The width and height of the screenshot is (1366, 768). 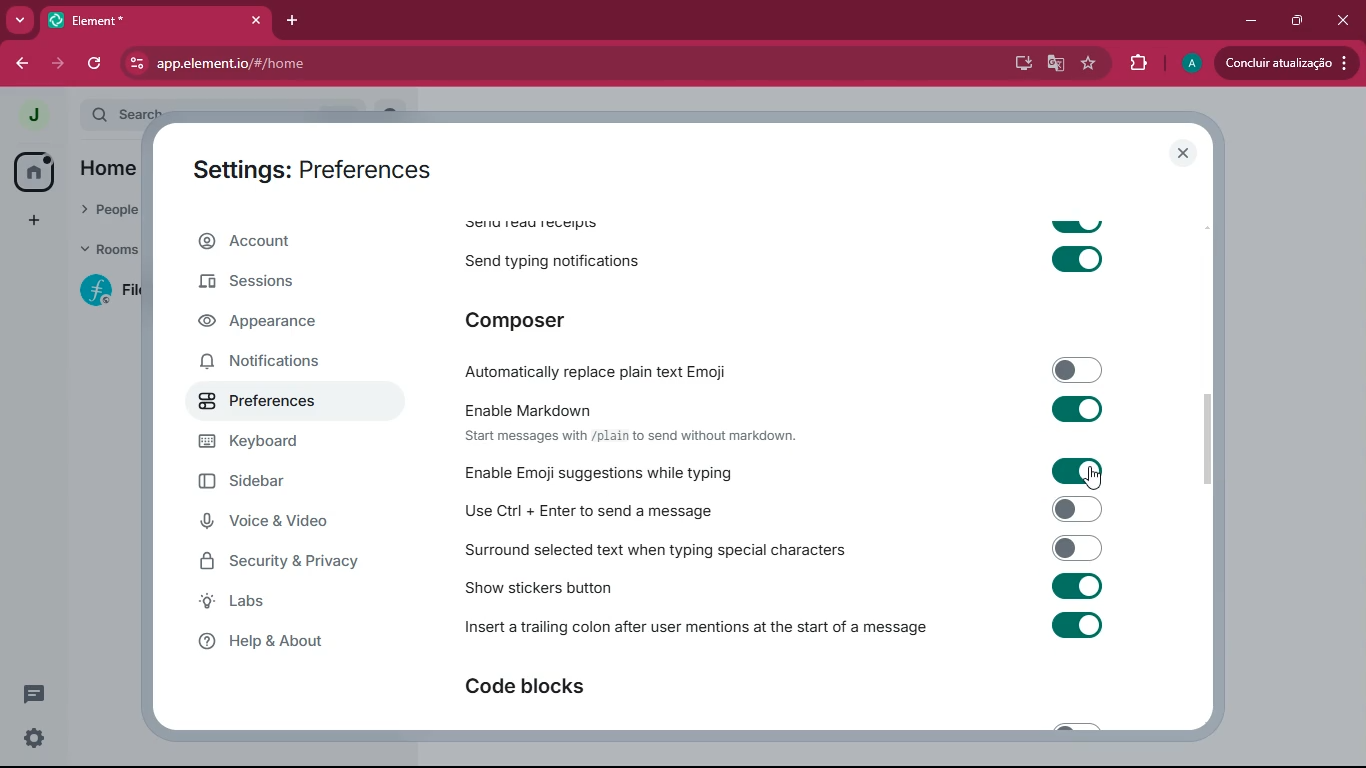 What do you see at coordinates (282, 484) in the screenshot?
I see `sidebar` at bounding box center [282, 484].